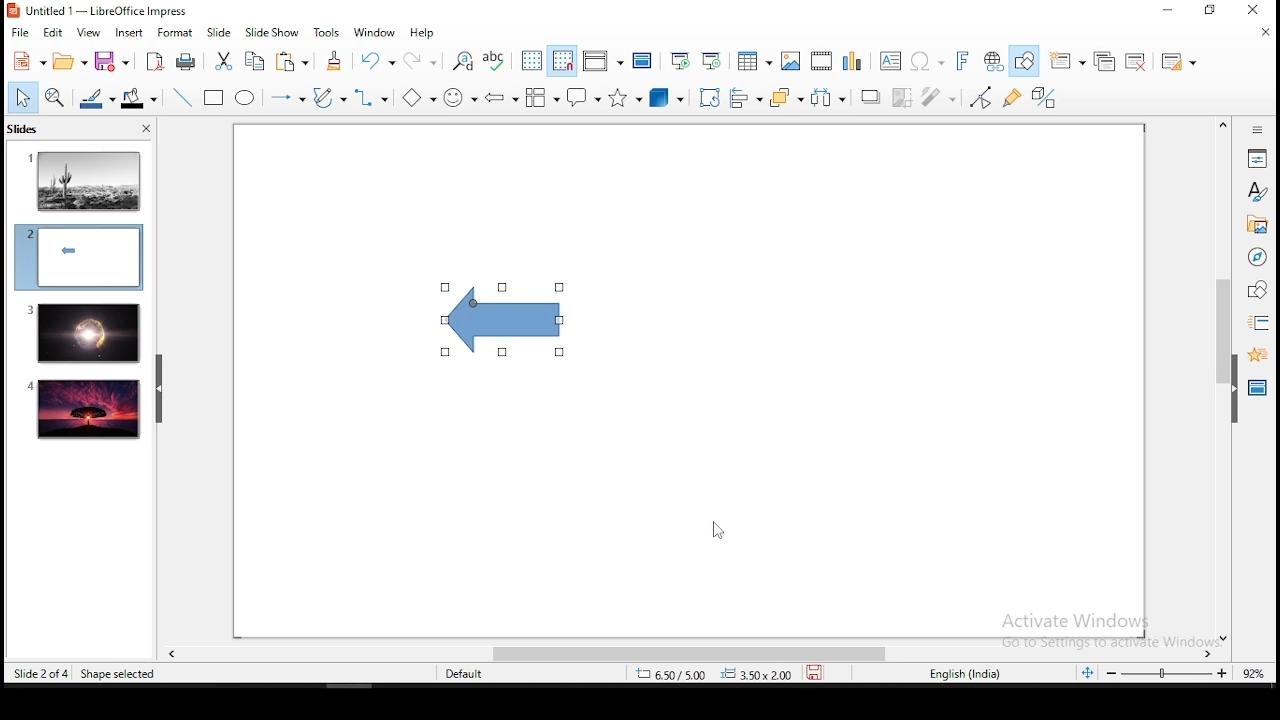 This screenshot has height=720, width=1280. I want to click on crop tool, so click(710, 98).